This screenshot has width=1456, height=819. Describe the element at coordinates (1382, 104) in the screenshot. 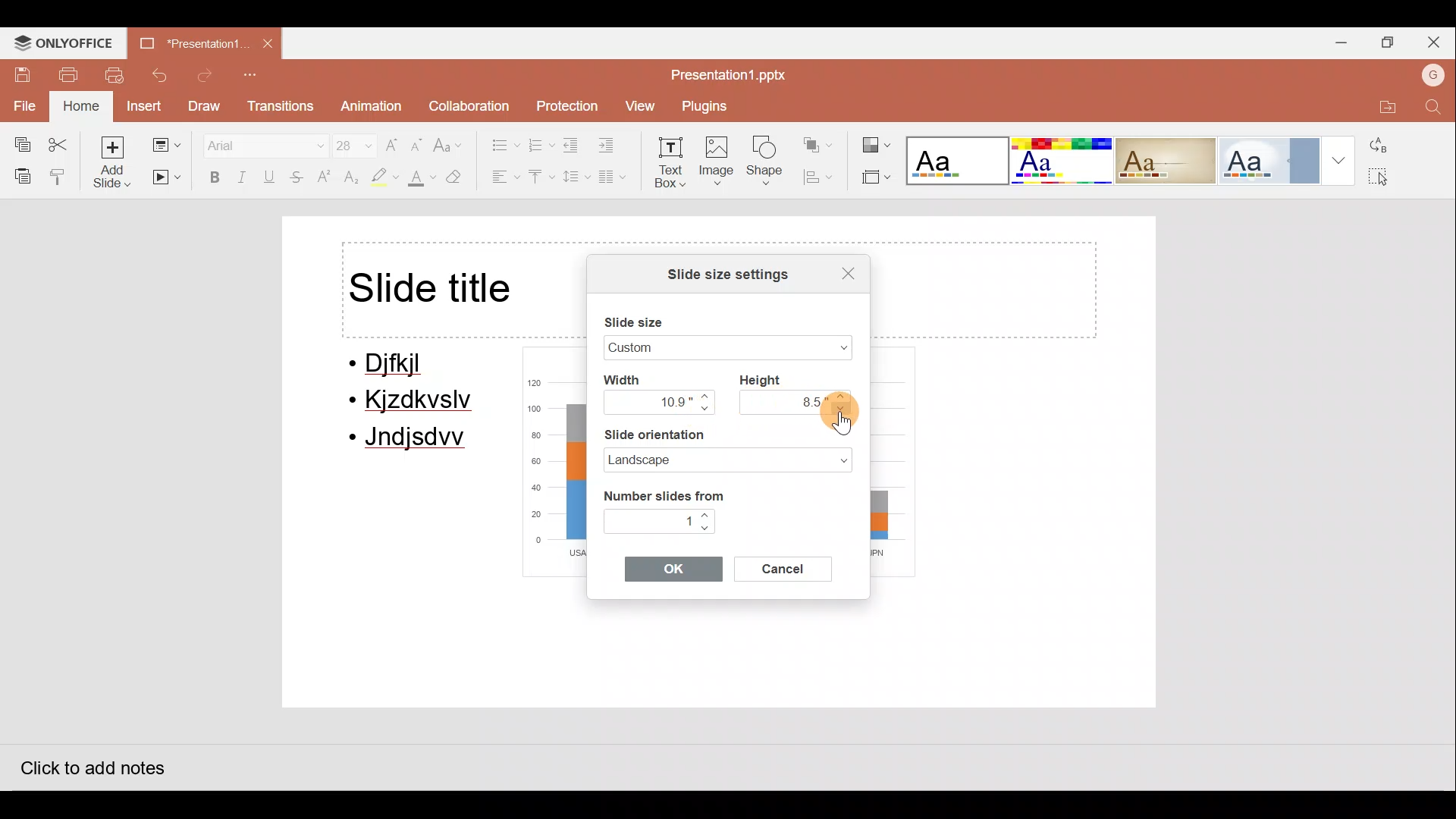

I see `Open file location` at that location.